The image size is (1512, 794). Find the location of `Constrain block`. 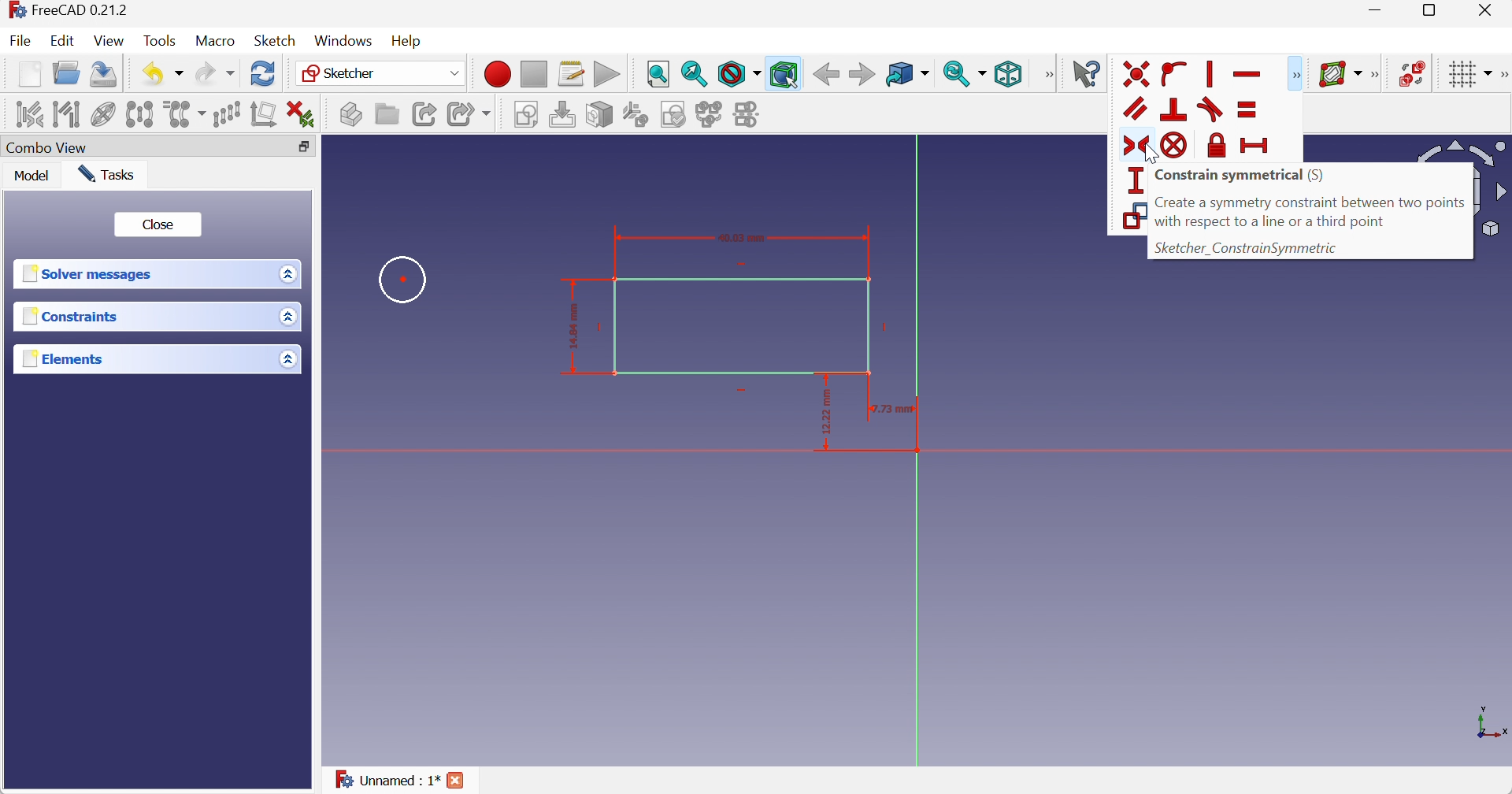

Constrain block is located at coordinates (1175, 145).